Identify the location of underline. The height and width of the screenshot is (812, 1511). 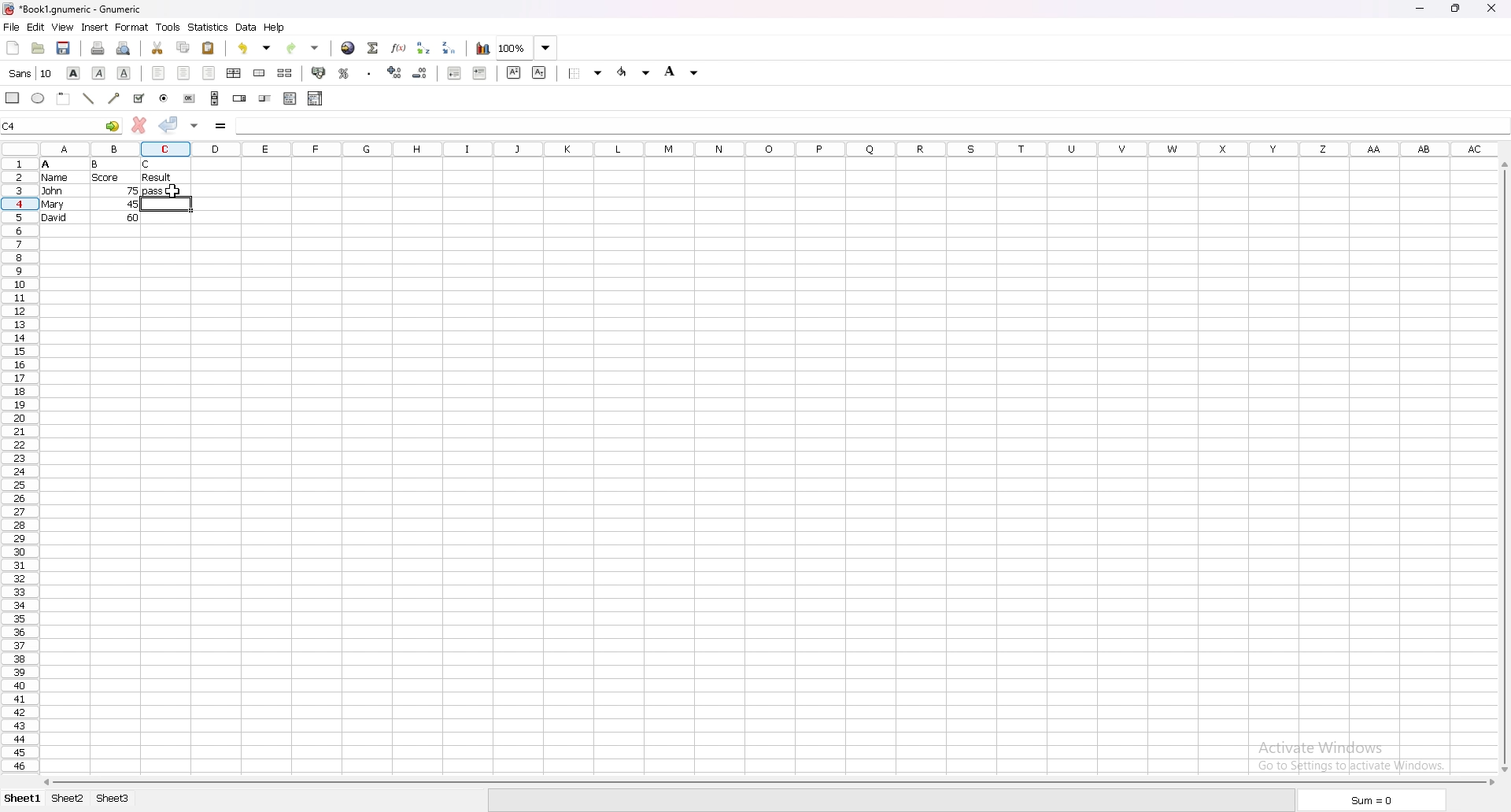
(123, 73).